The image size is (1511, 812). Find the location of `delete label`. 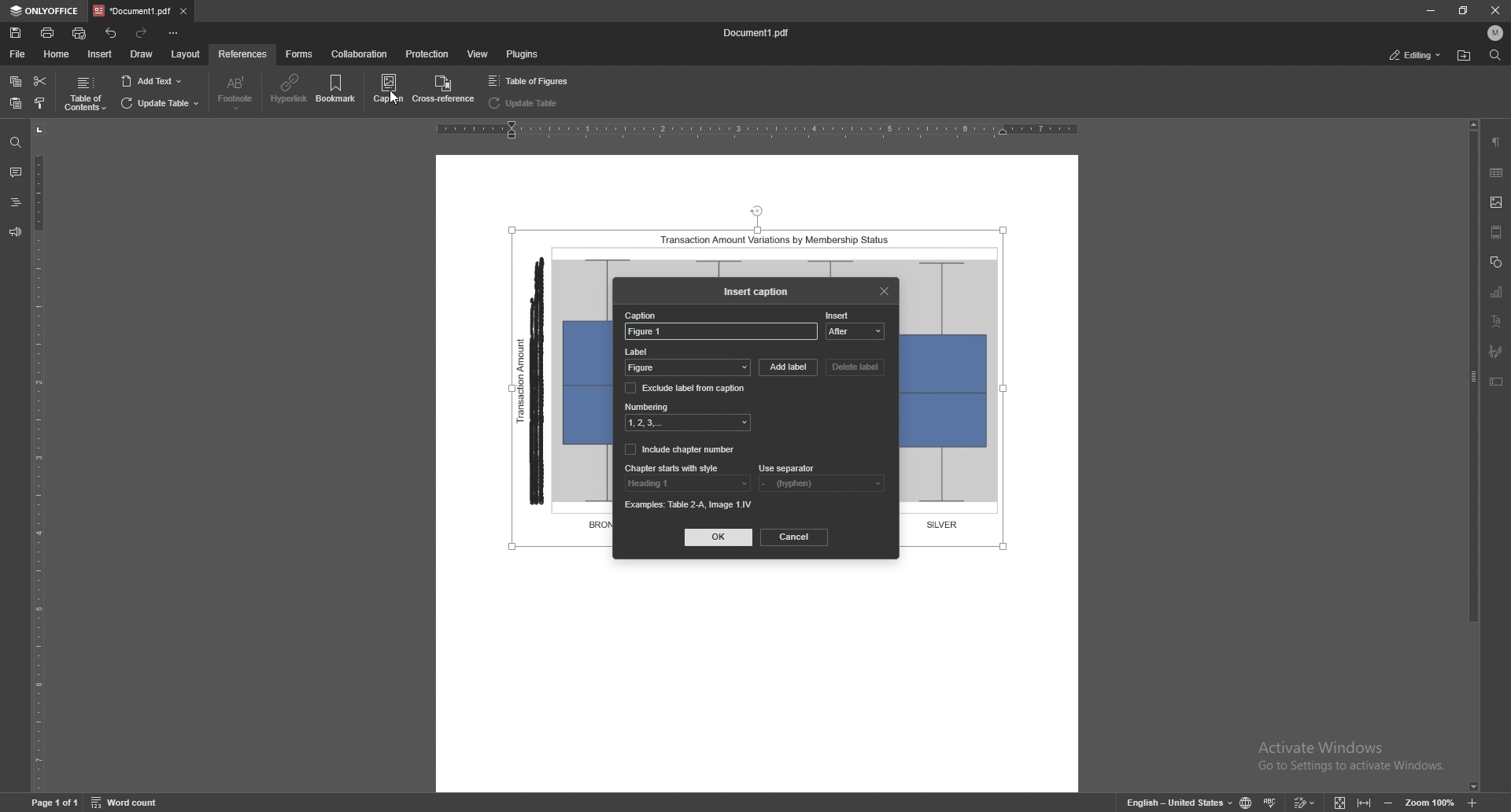

delete label is located at coordinates (856, 367).